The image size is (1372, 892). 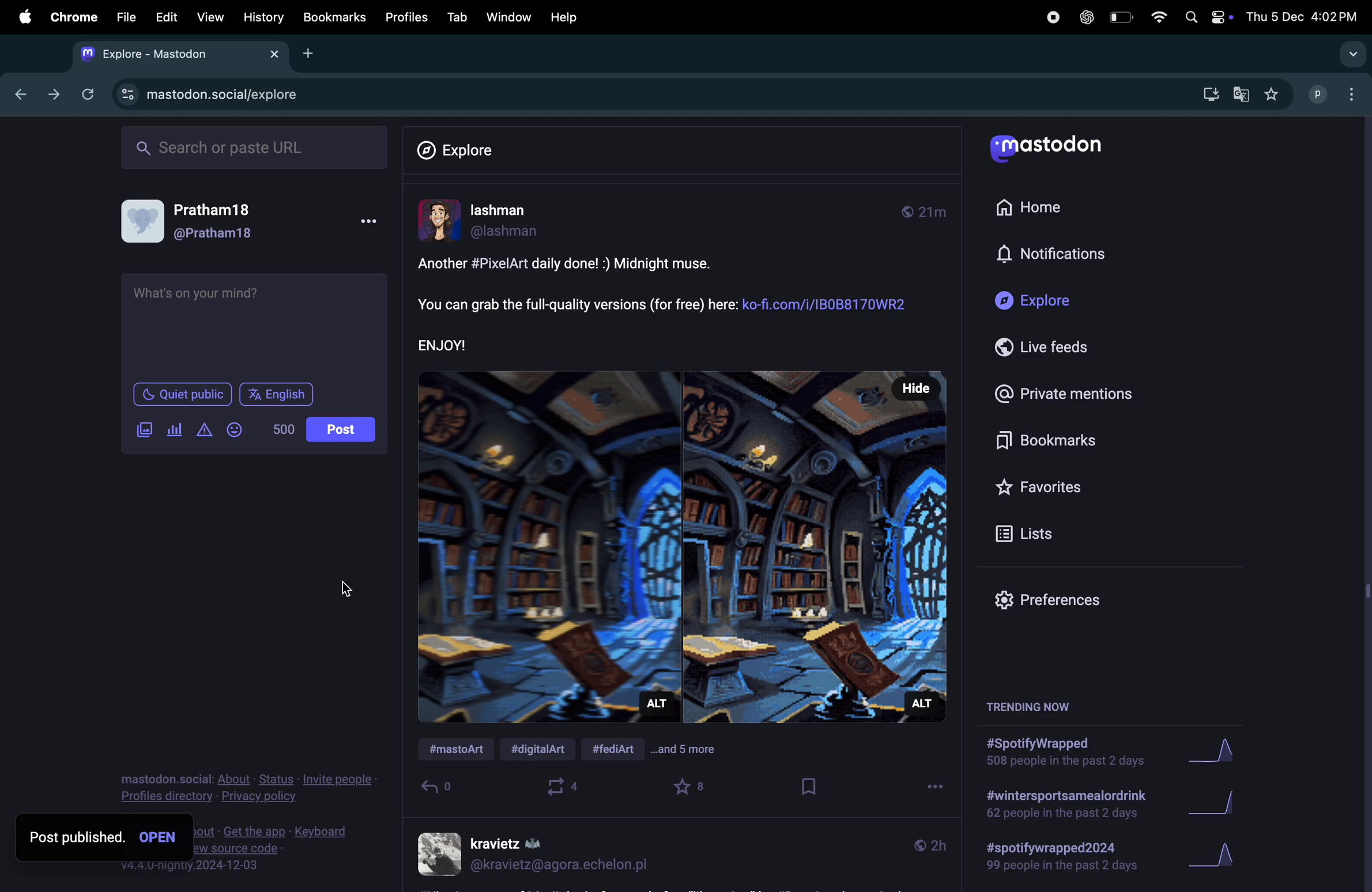 I want to click on previous tab, so click(x=17, y=96).